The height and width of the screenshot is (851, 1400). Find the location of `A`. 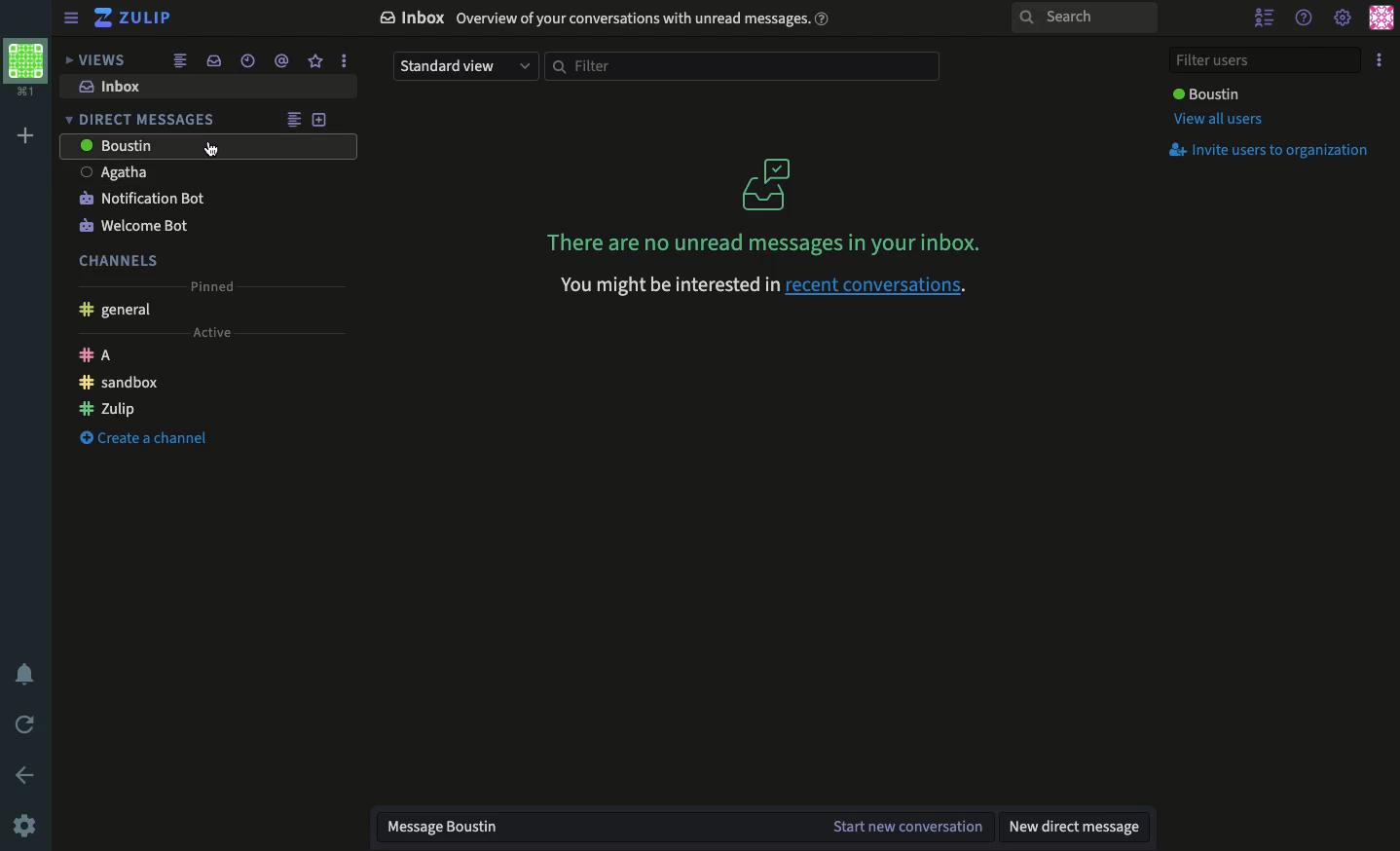

A is located at coordinates (96, 354).